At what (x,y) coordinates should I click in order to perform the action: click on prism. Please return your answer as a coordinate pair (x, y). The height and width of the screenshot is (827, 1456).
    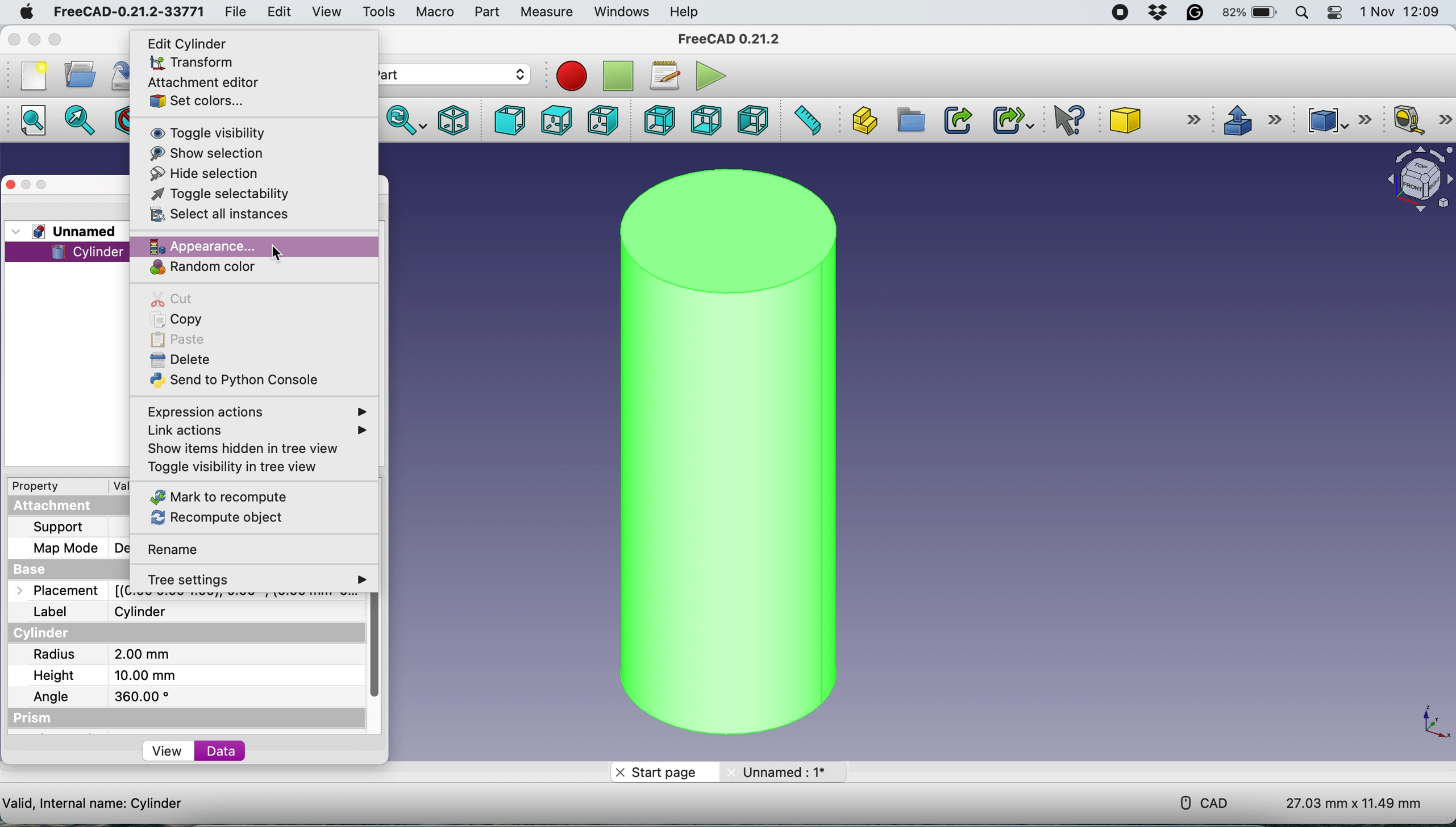
    Looking at the image, I should click on (32, 720).